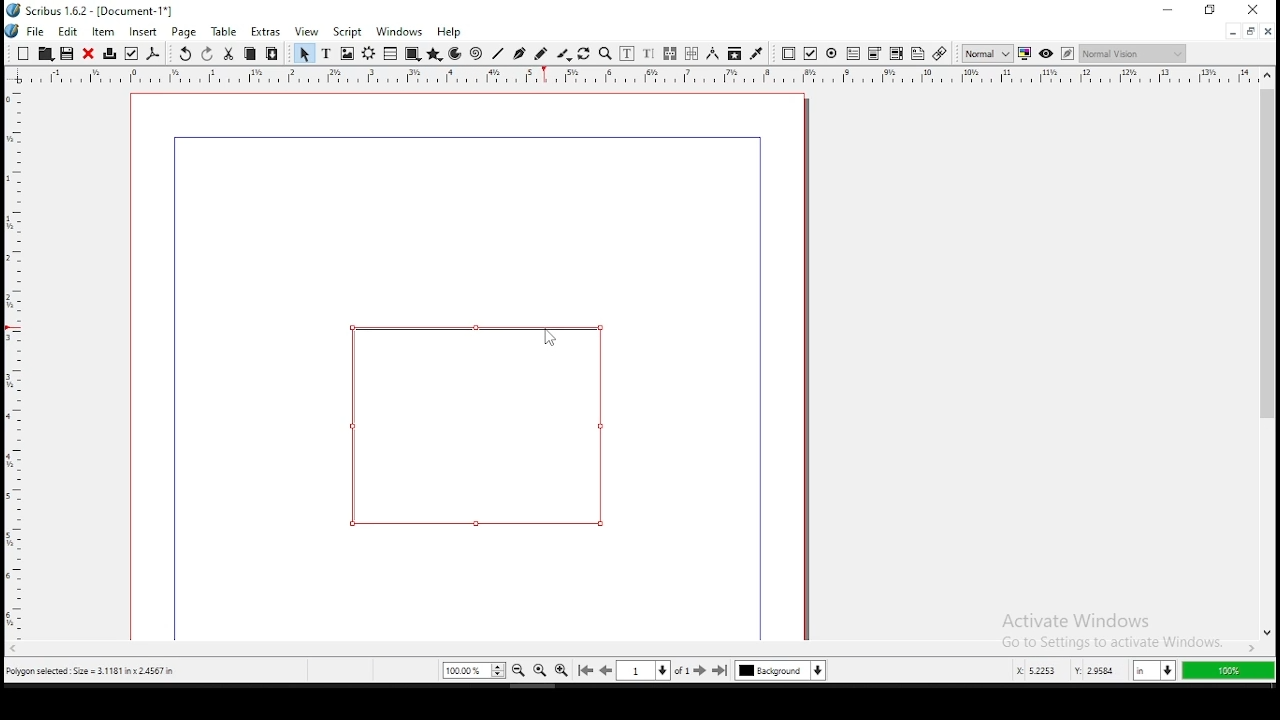  What do you see at coordinates (368, 54) in the screenshot?
I see `render frame` at bounding box center [368, 54].